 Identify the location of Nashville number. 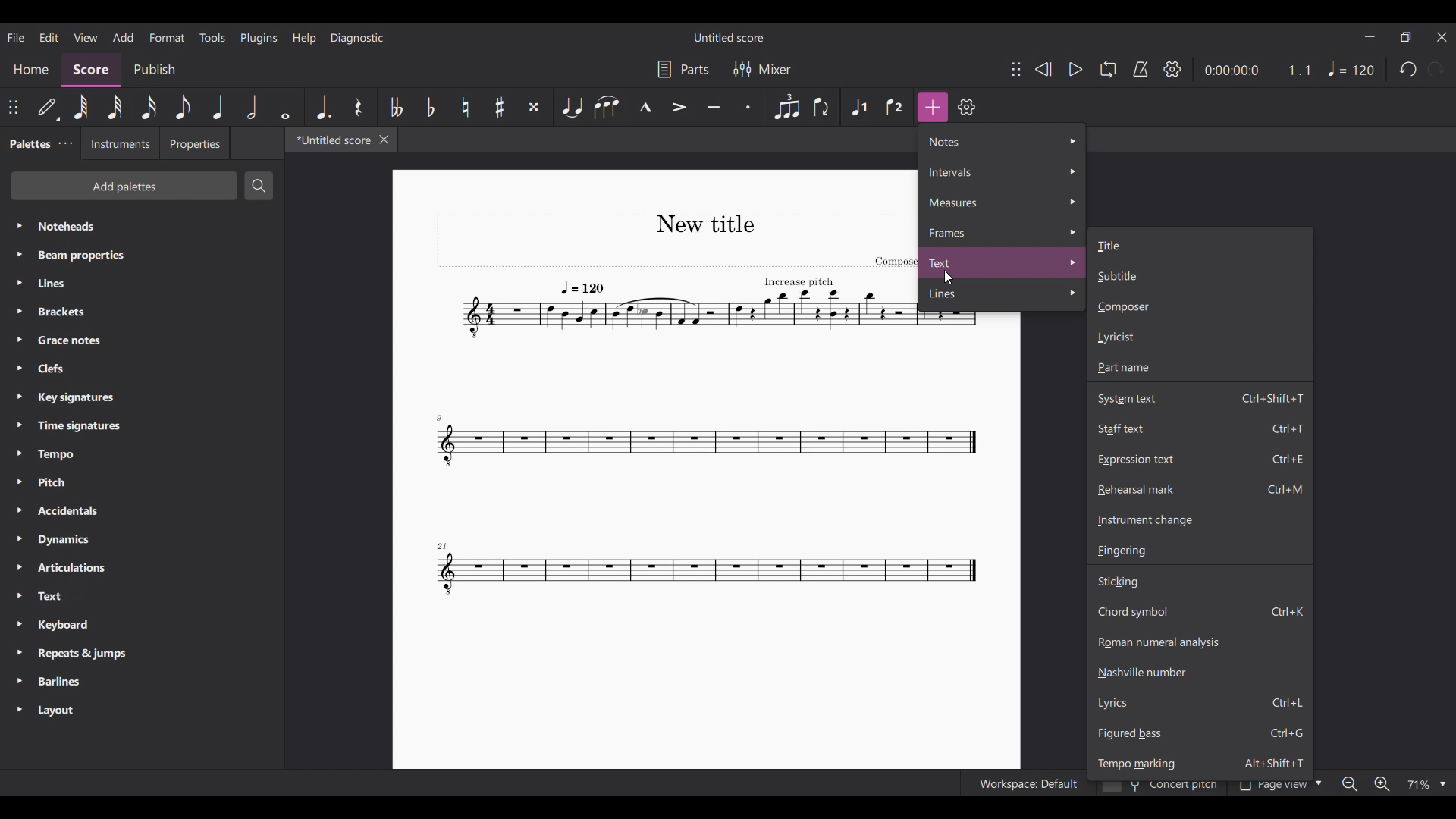
(1200, 672).